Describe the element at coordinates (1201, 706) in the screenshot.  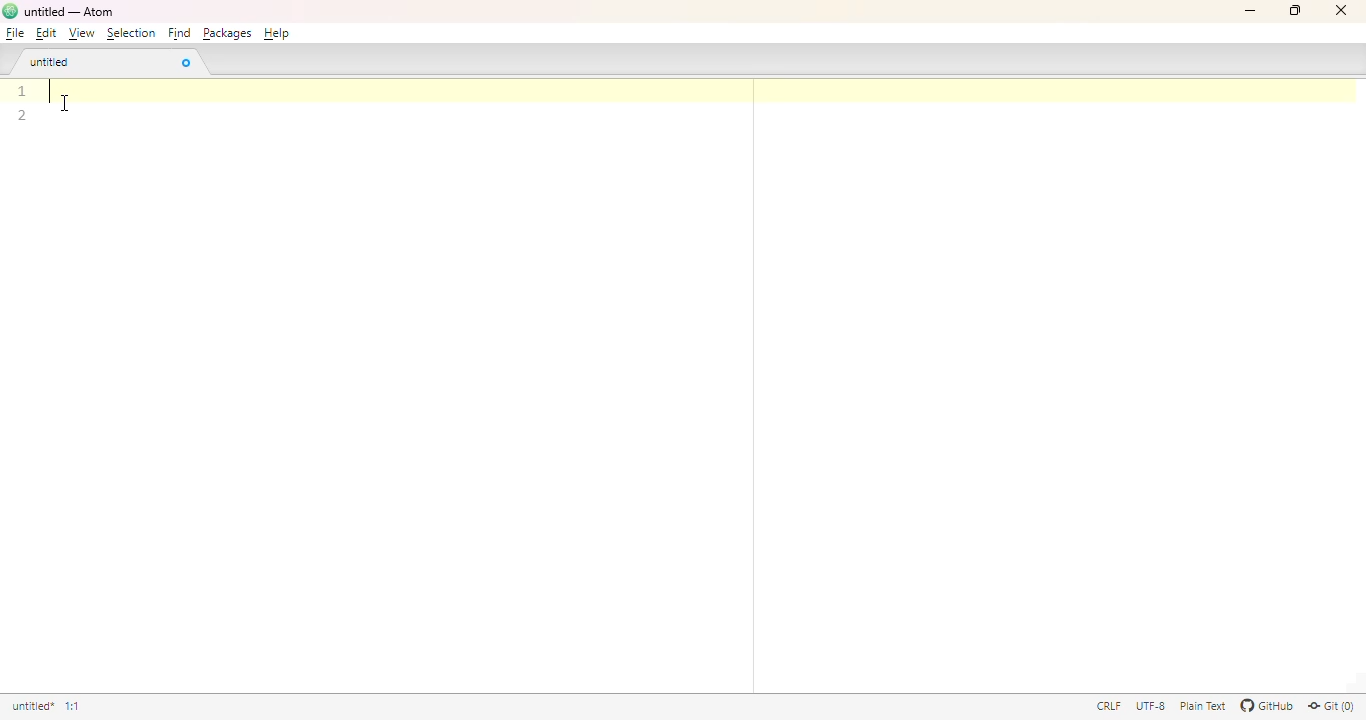
I see `Plain text` at that location.